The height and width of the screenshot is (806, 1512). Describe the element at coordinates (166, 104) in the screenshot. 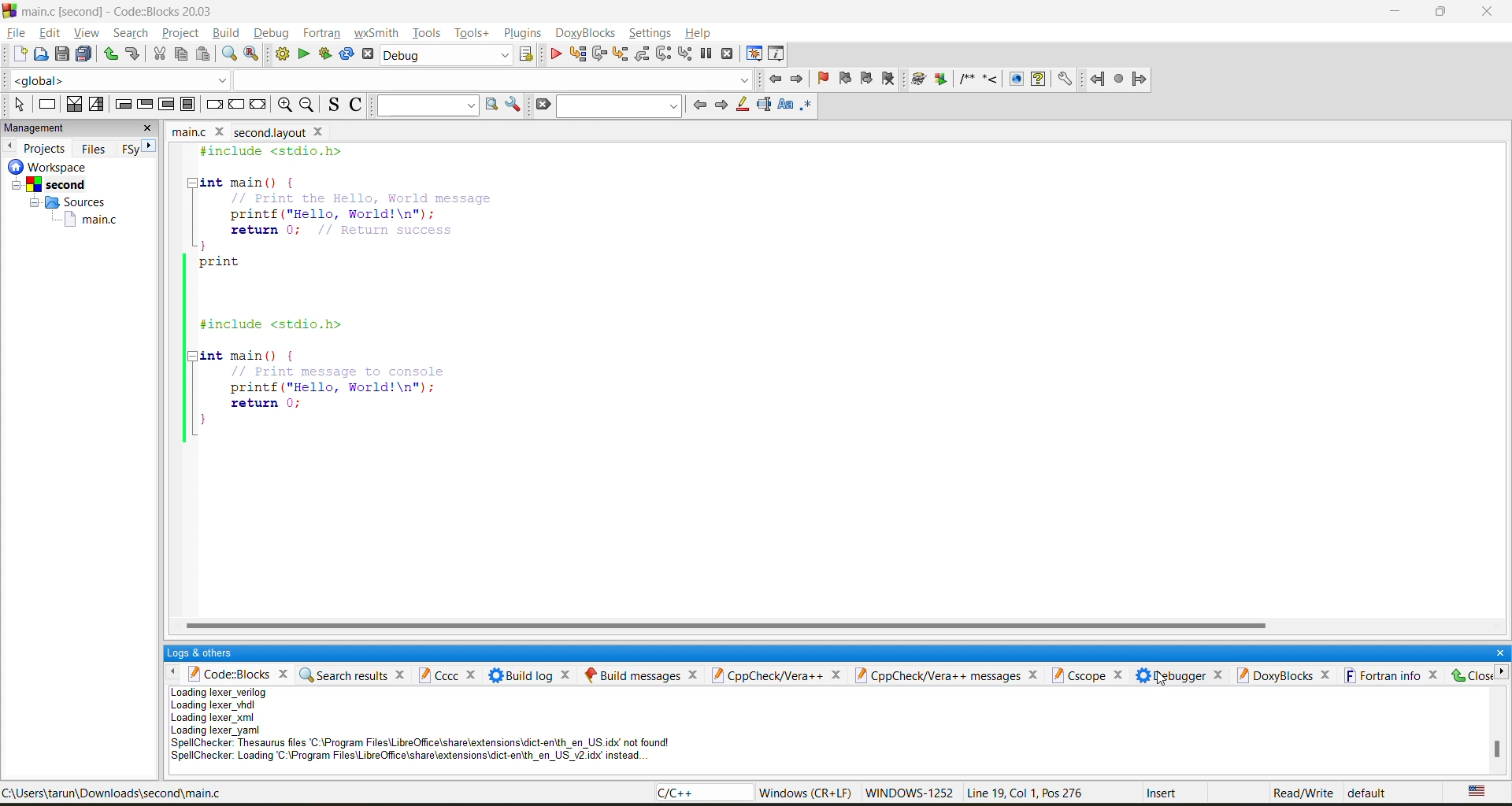

I see `counting loop` at that location.